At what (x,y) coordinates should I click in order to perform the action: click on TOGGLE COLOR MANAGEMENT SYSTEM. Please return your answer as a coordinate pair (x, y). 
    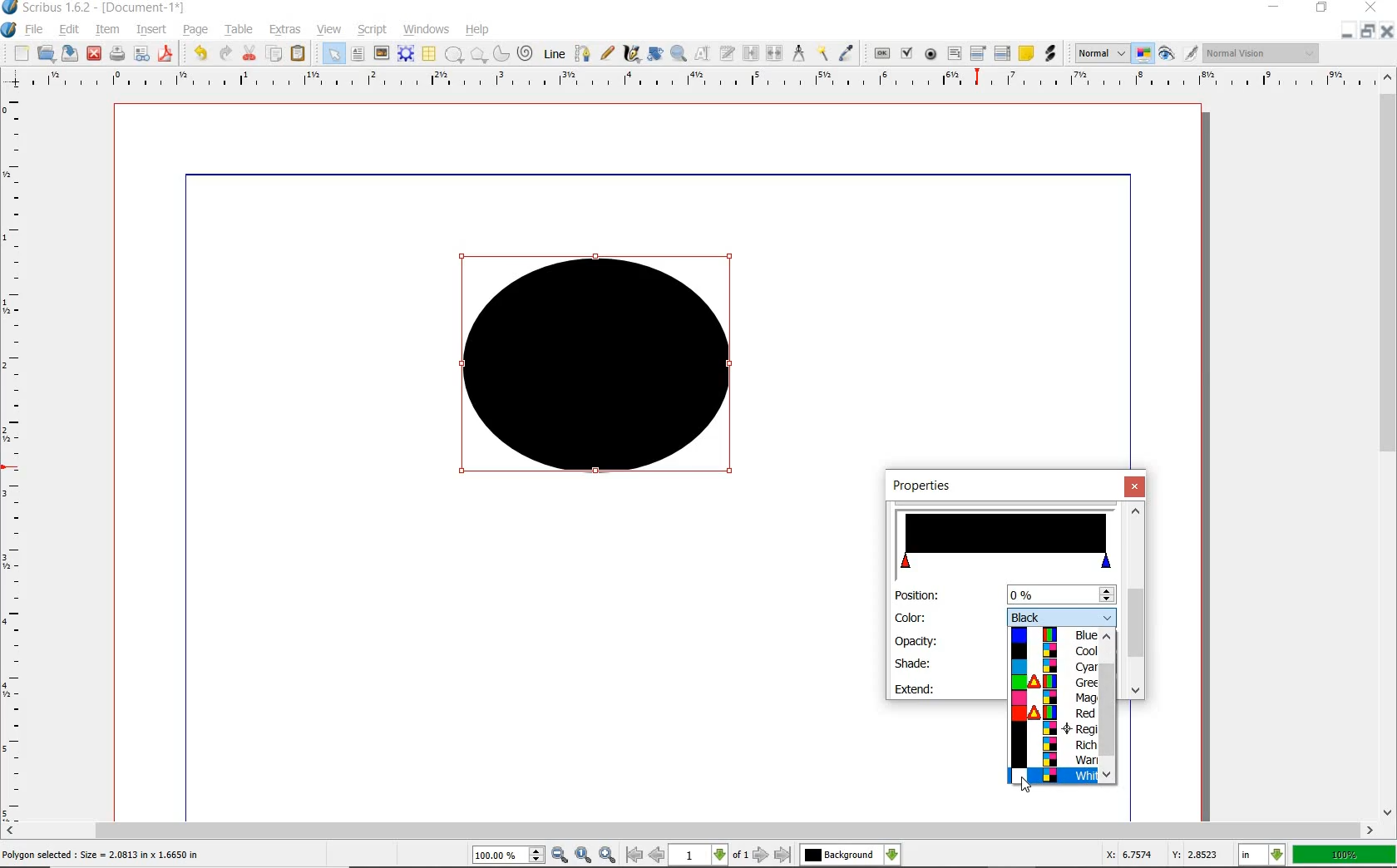
    Looking at the image, I should click on (1144, 53).